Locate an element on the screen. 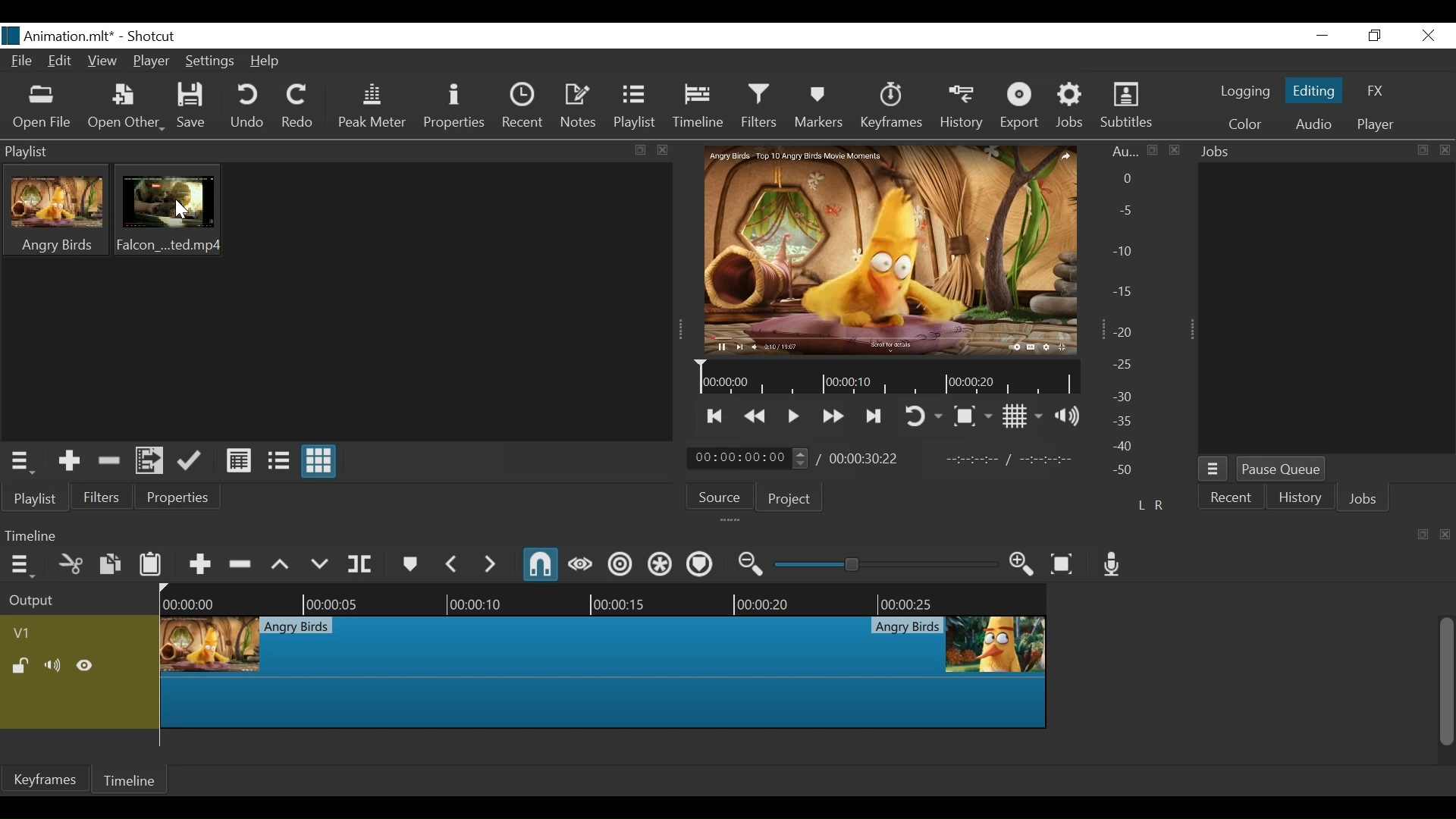 This screenshot has height=819, width=1456. Remove Cut is located at coordinates (110, 460).